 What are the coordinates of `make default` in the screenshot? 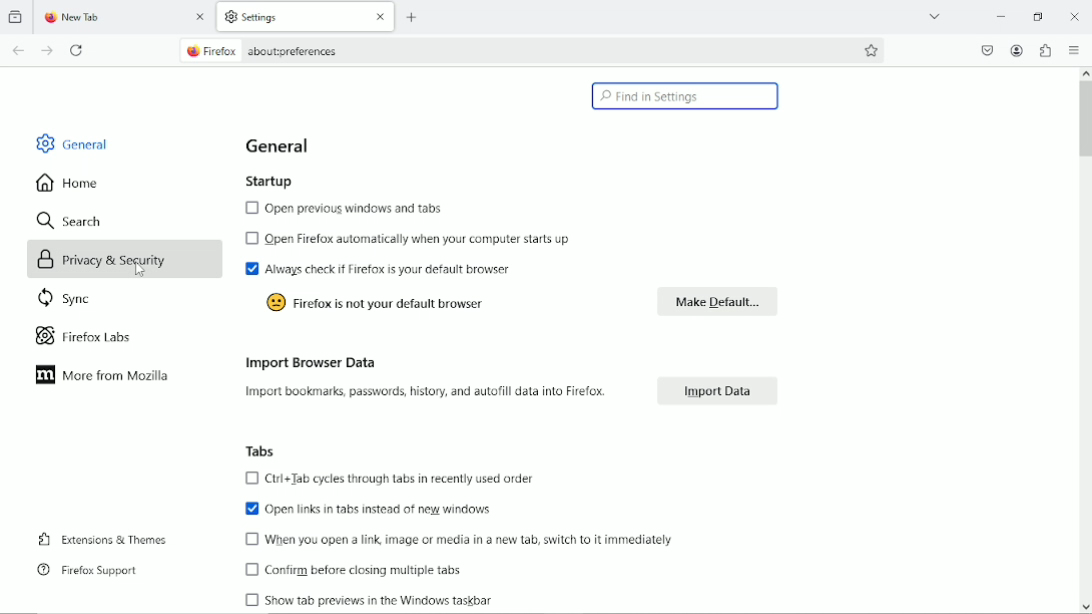 It's located at (723, 303).